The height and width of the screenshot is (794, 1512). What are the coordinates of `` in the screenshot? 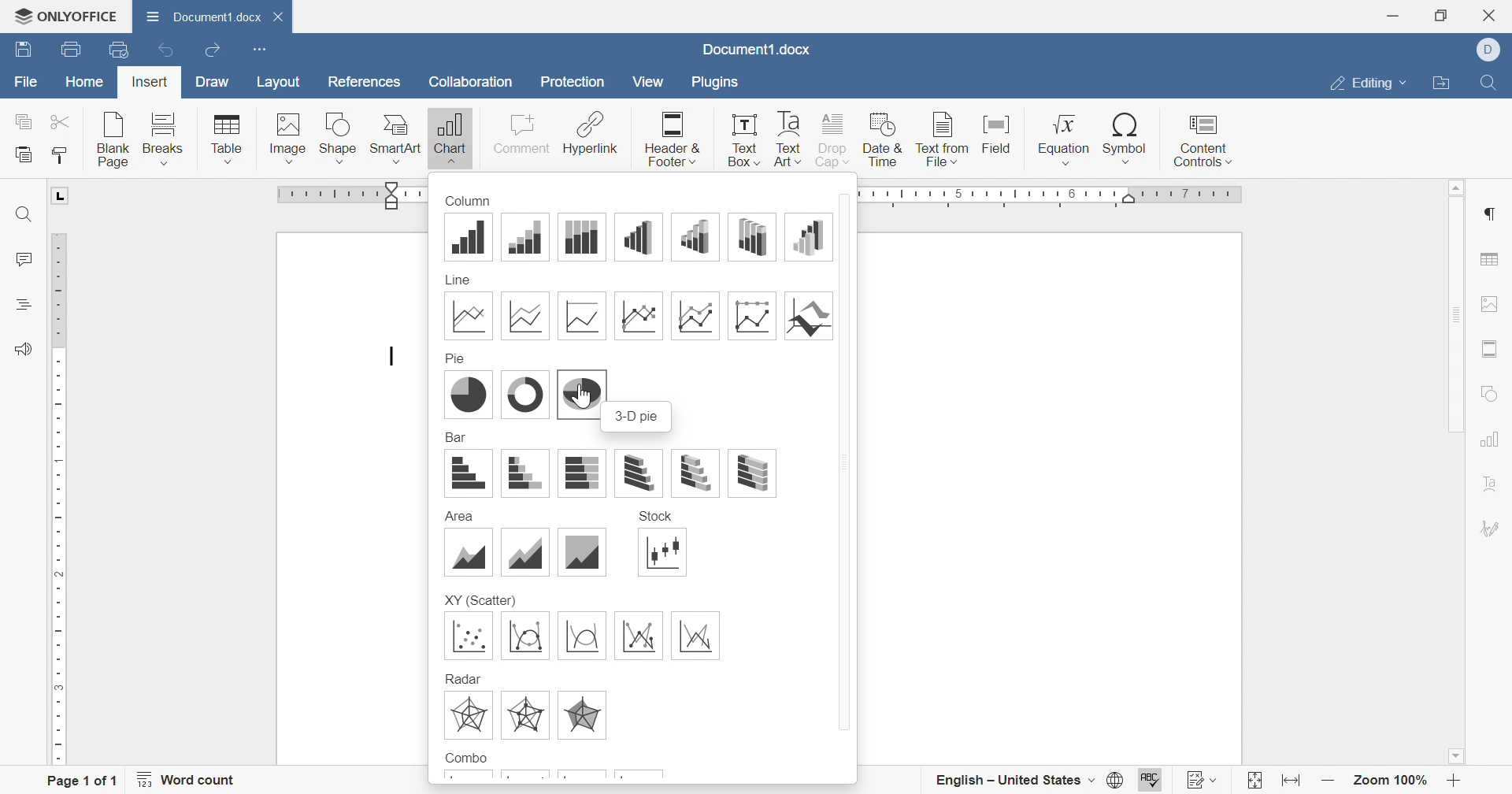 It's located at (600, 132).